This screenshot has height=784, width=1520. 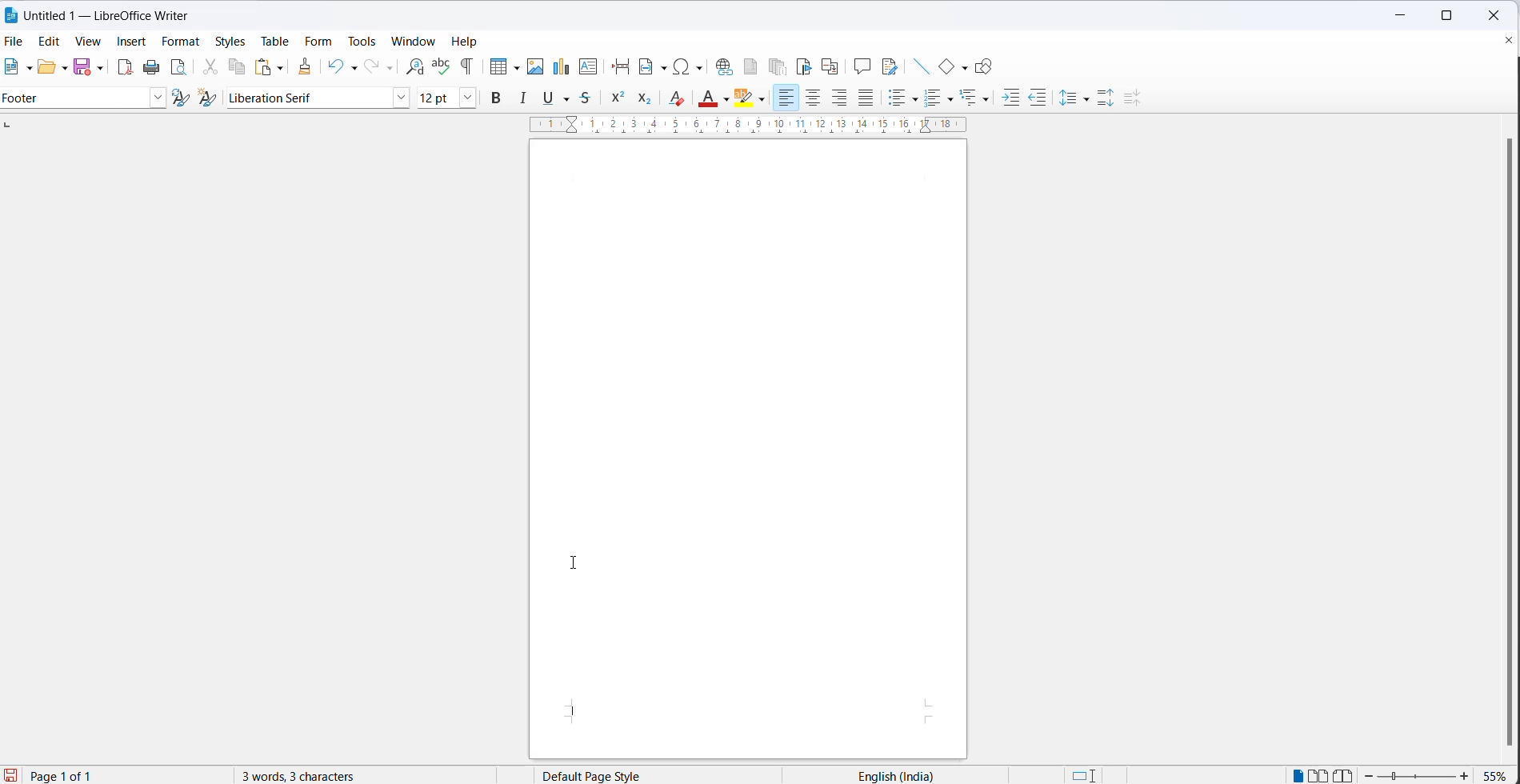 What do you see at coordinates (708, 101) in the screenshot?
I see `font color` at bounding box center [708, 101].